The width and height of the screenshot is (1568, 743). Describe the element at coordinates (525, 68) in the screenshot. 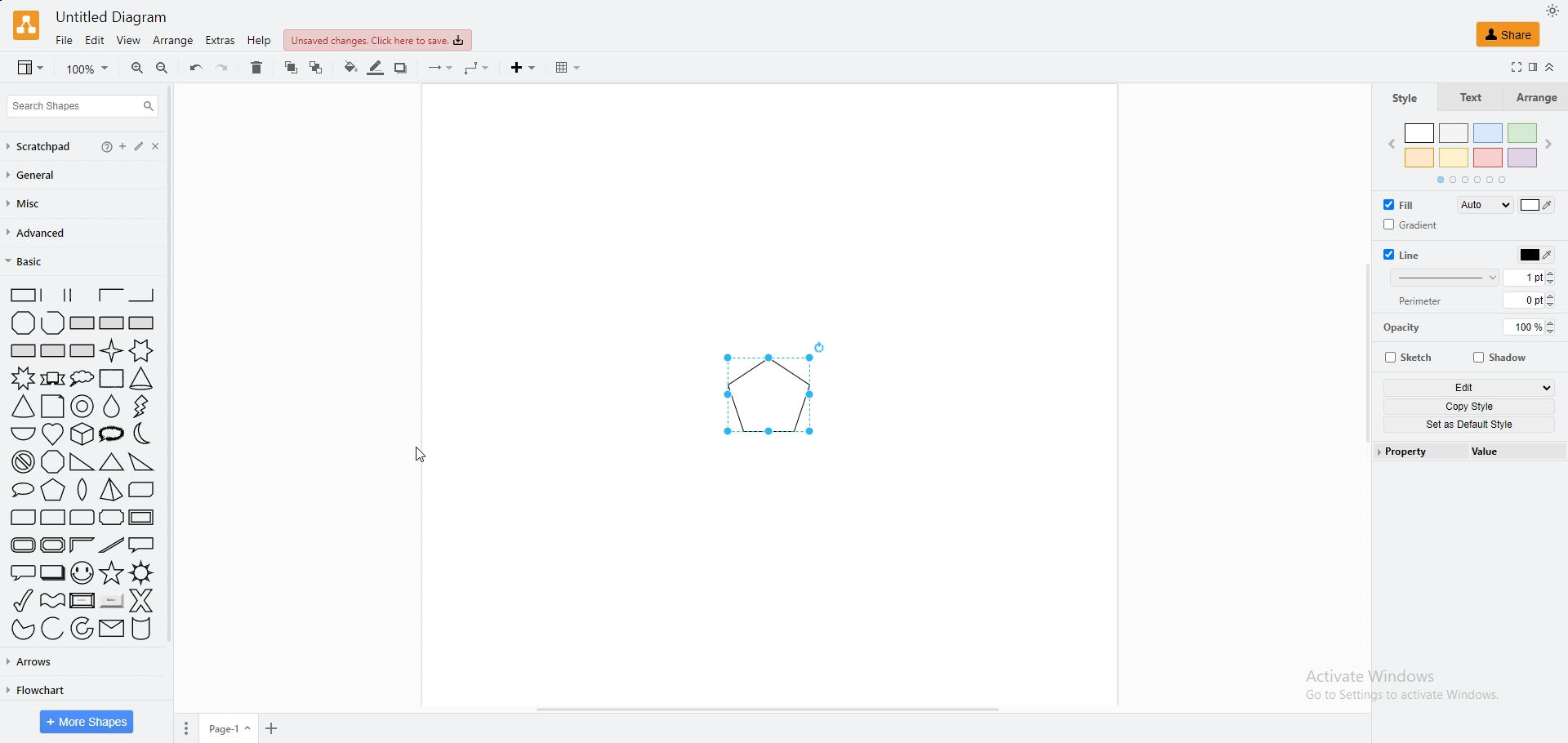

I see `insert` at that location.